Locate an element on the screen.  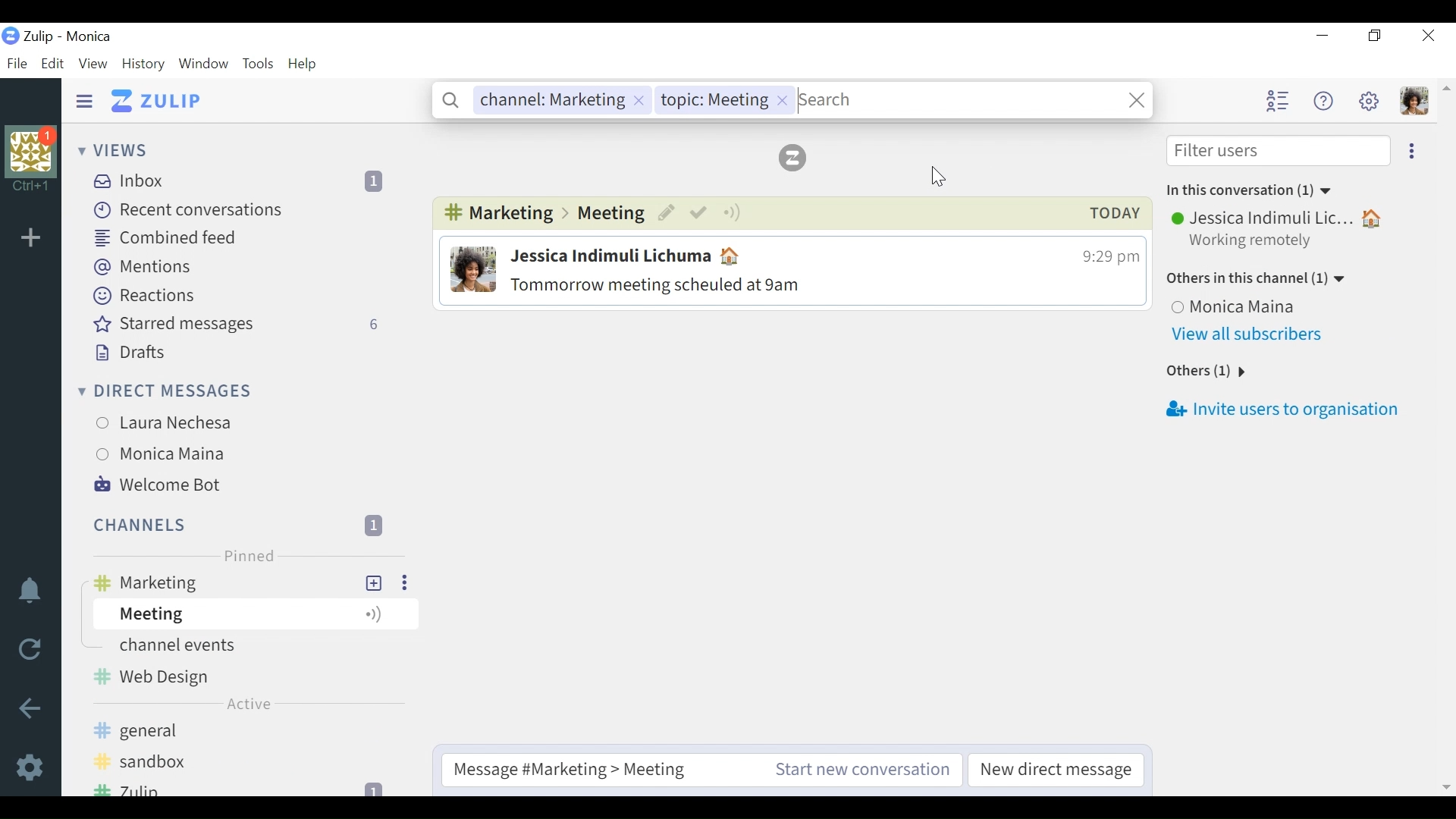
Drafts is located at coordinates (130, 351).